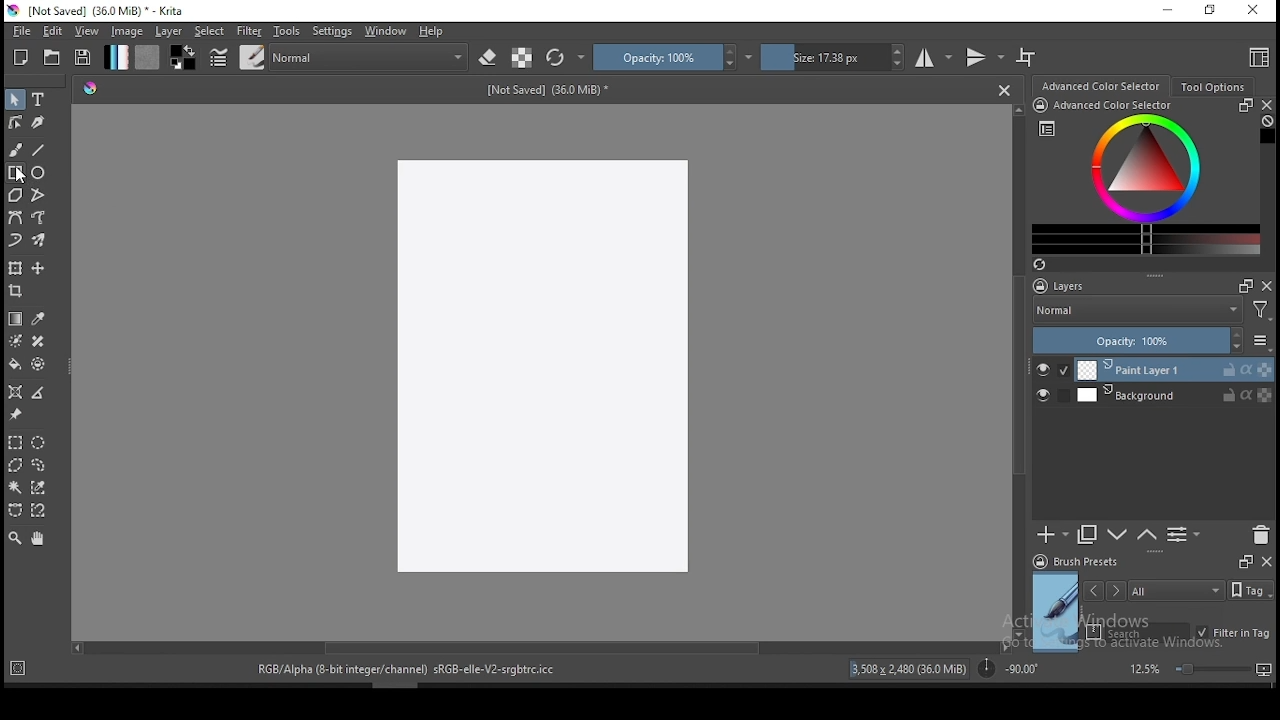  What do you see at coordinates (1142, 176) in the screenshot?
I see `advanced color selector` at bounding box center [1142, 176].